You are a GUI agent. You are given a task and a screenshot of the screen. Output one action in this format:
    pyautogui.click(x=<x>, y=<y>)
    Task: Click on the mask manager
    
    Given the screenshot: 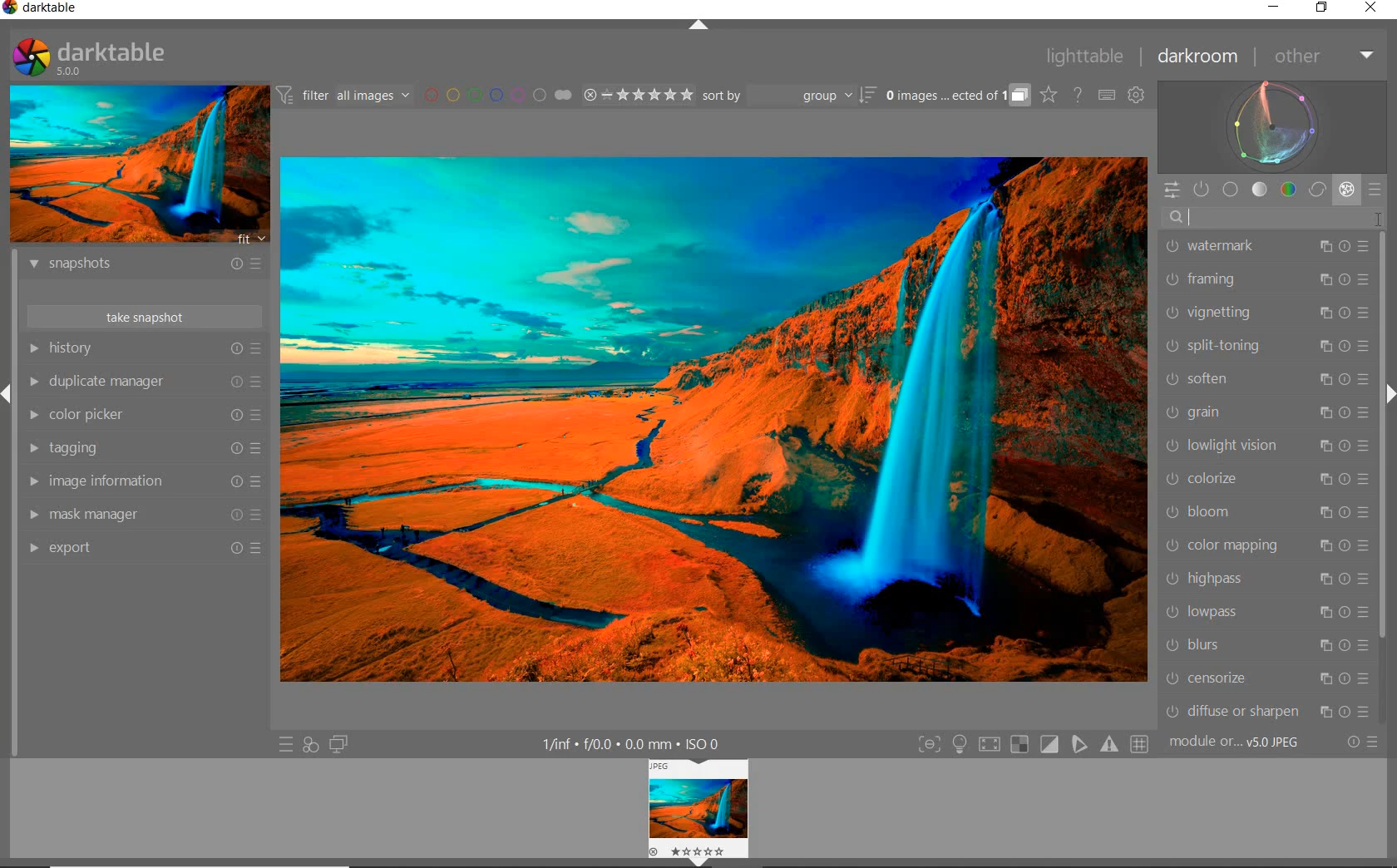 What is the action you would take?
    pyautogui.click(x=146, y=515)
    